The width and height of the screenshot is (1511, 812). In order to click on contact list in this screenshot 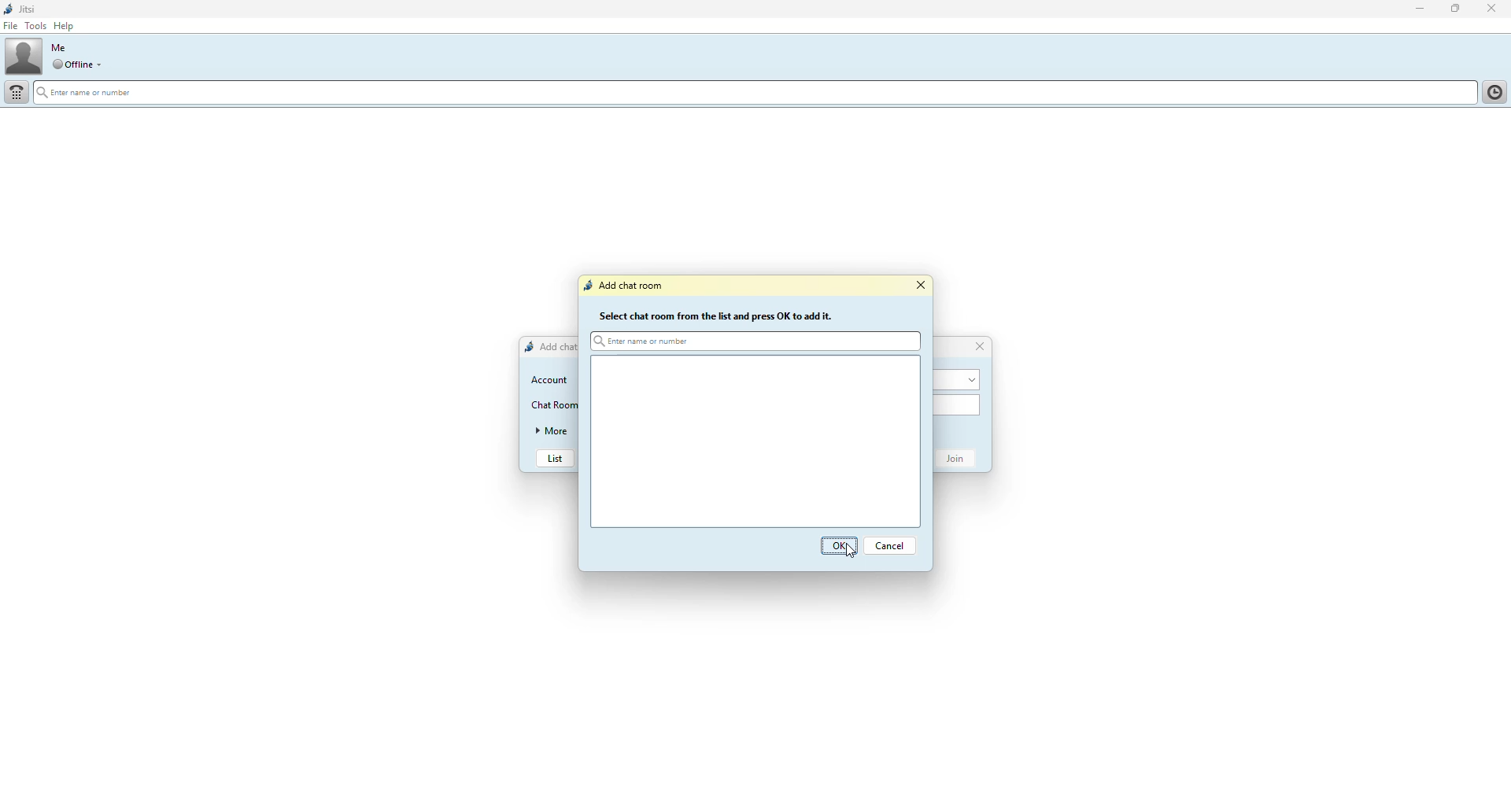, I will do `click(1491, 92)`.